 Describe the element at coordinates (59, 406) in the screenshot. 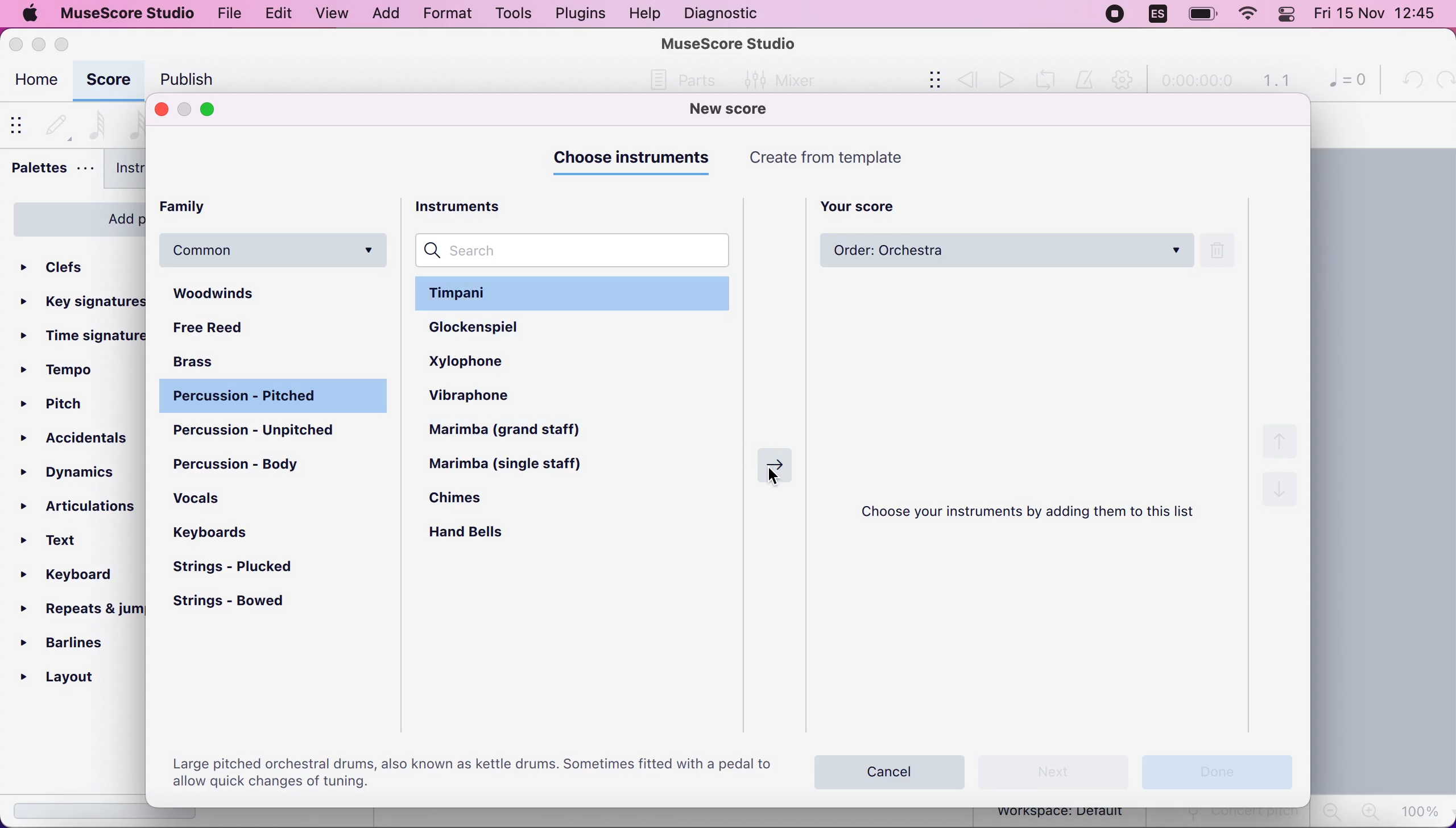

I see `pitch` at that location.